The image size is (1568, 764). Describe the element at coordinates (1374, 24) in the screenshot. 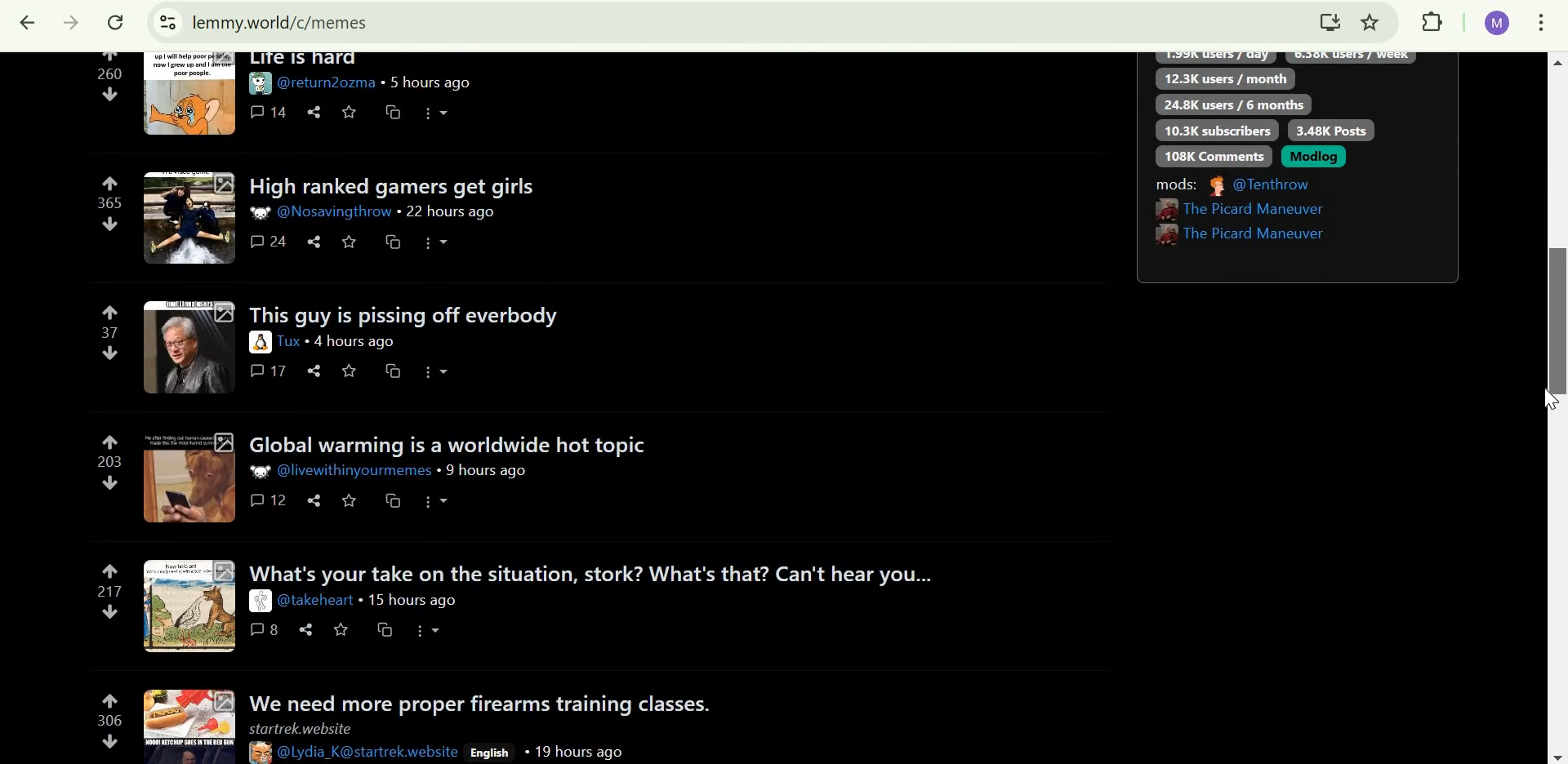

I see `bookmark this tab` at that location.